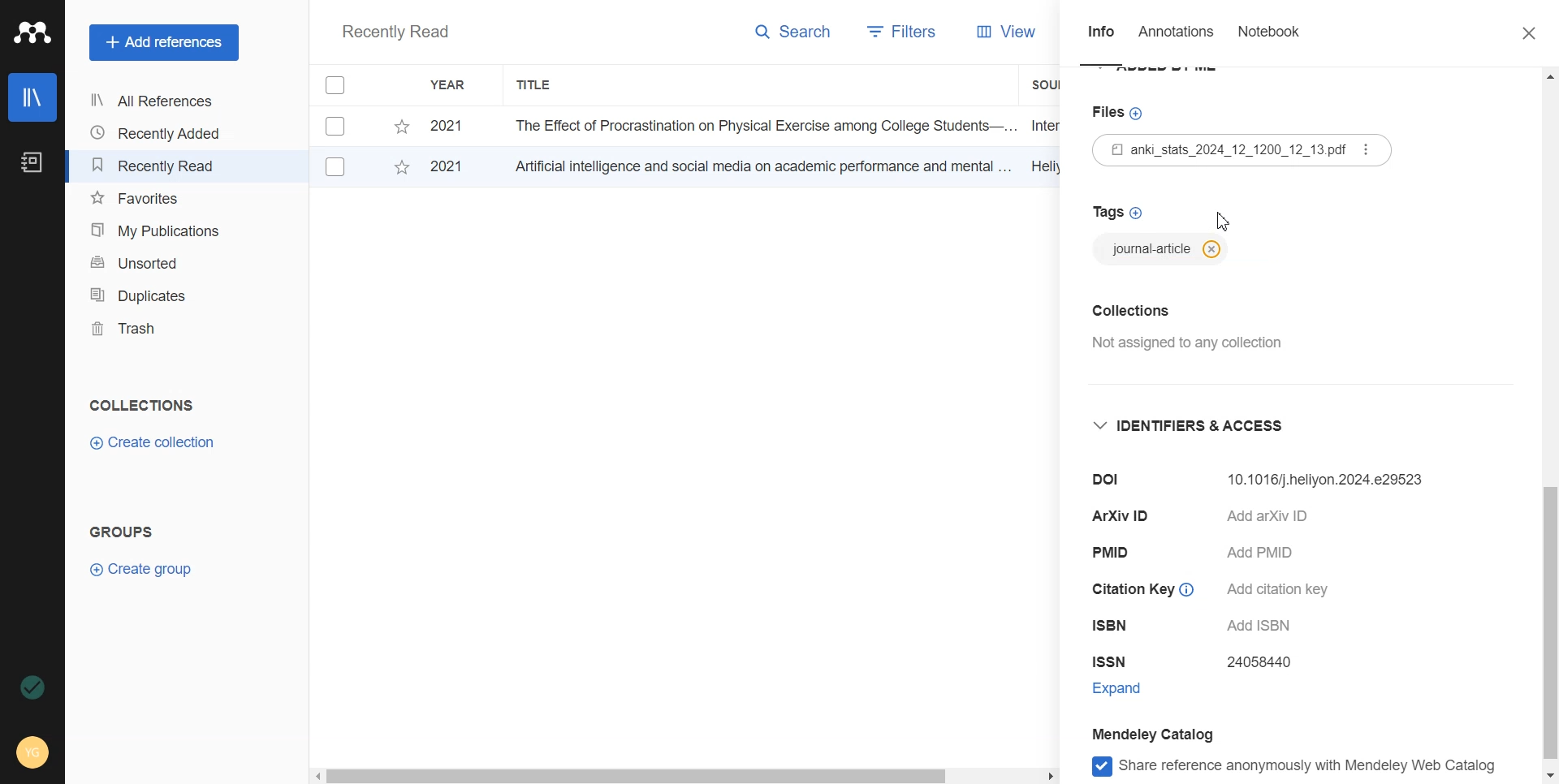 This screenshot has width=1559, height=784. Describe the element at coordinates (451, 127) in the screenshot. I see `2021` at that location.